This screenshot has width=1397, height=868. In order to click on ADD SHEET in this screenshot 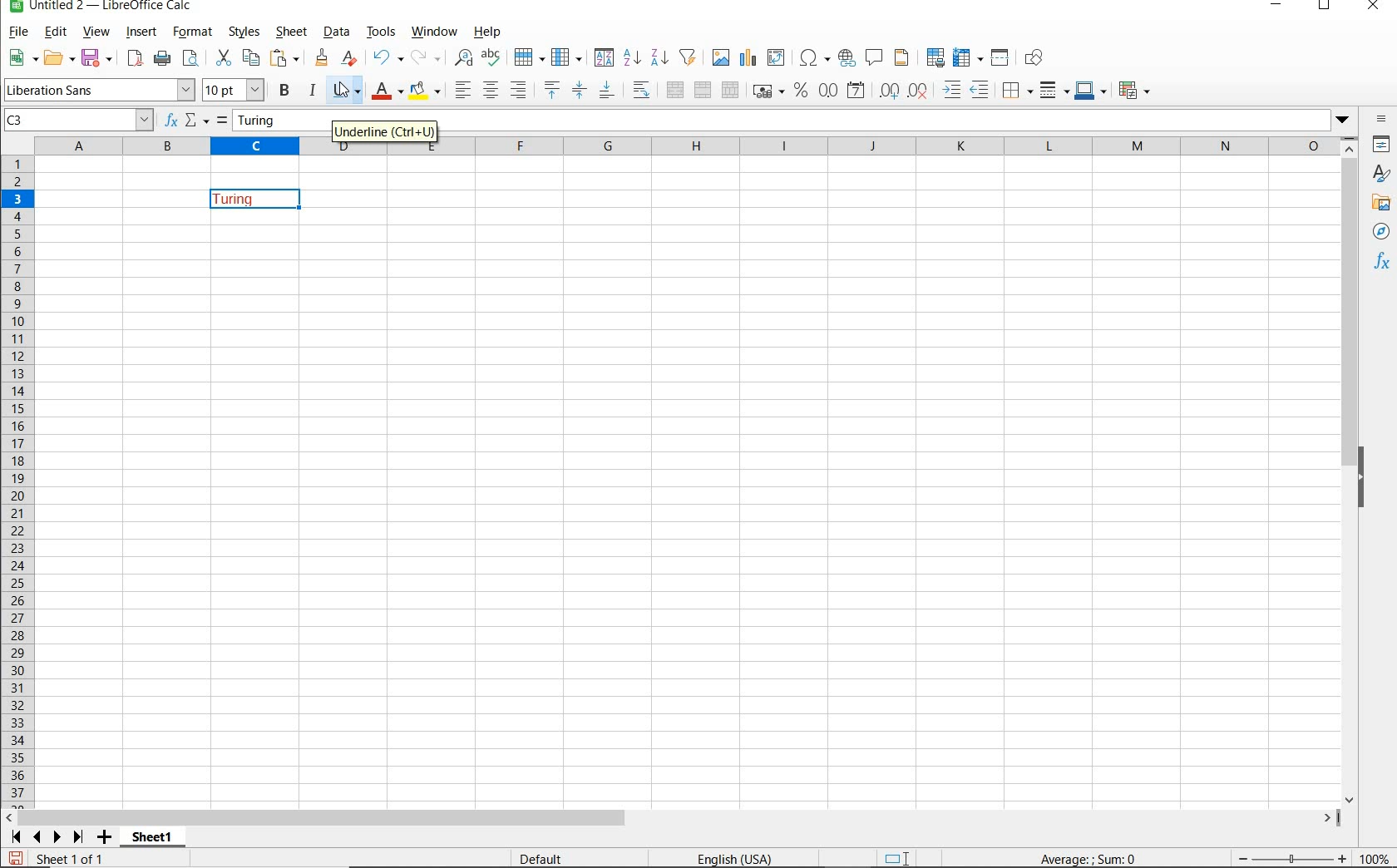, I will do `click(106, 838)`.